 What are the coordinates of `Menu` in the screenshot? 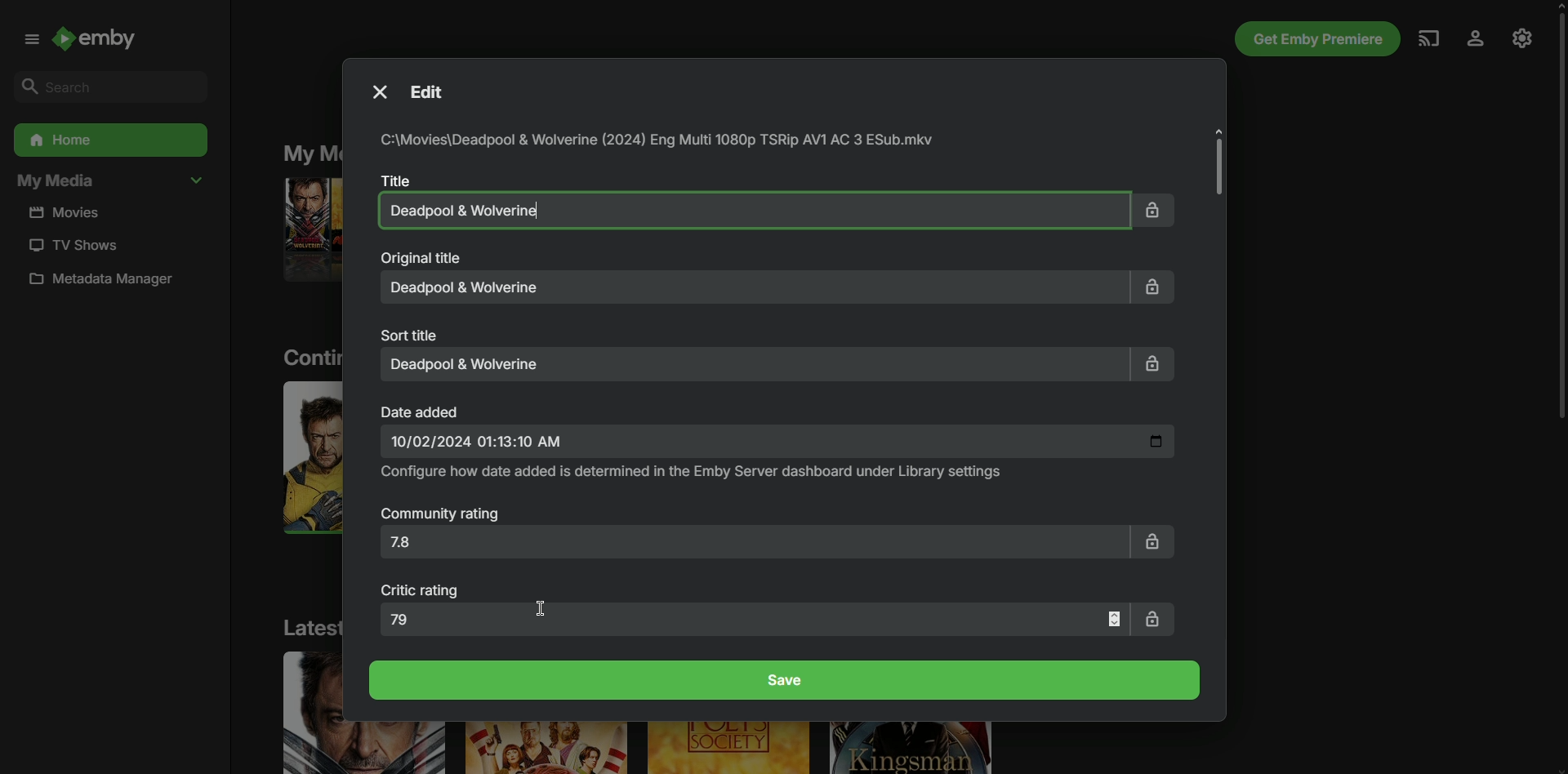 It's located at (28, 39).